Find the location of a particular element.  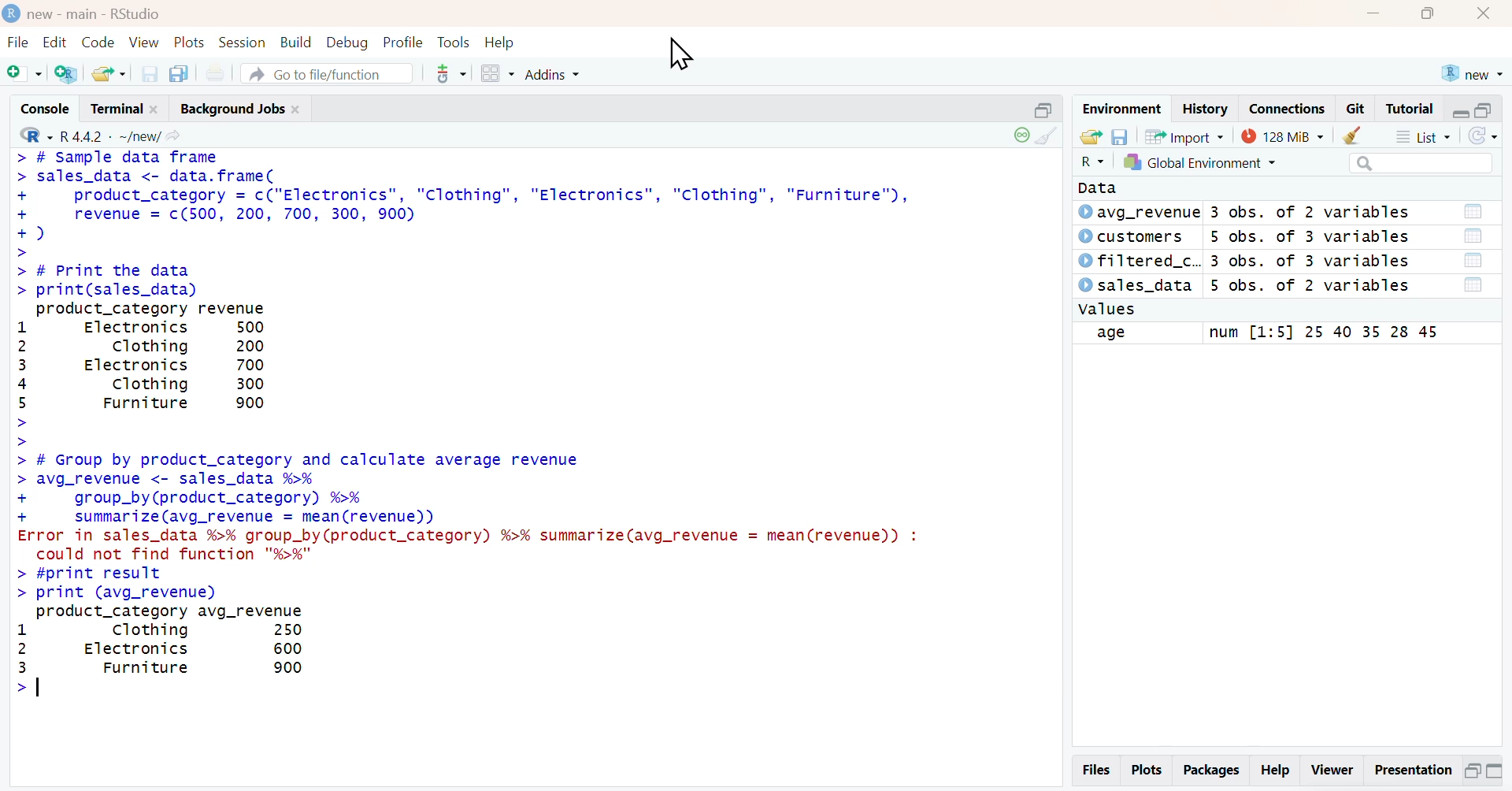

Console - # Sample data frame sales_data<- data.frame( product_category= c("Electronics", "thing", "Electronics", "Clothing", "Furniture"), revenue c(500, 200, 700, 300, 900) ) # Print the data print(sales_data) product_category revenue Electronics 500 Clothing 200 Electronics 700 Clothing 300 Furniture 900 # Group by product_category and calculate average revenue avg_revenue< sales_data %>% group_by(product_category) %>% summarize (avg_revenue = mean (revenue)) error in sales_data %>% group_by (product_category) %>% summarize (avg_revenue = mean (revenue)) : could not find function "%>%"  #print result print (avg_revenue) product_category avg_revenue1 Clothing 250 2 Electronics 600 3 Furniture 900 is located at coordinates (535, 426).